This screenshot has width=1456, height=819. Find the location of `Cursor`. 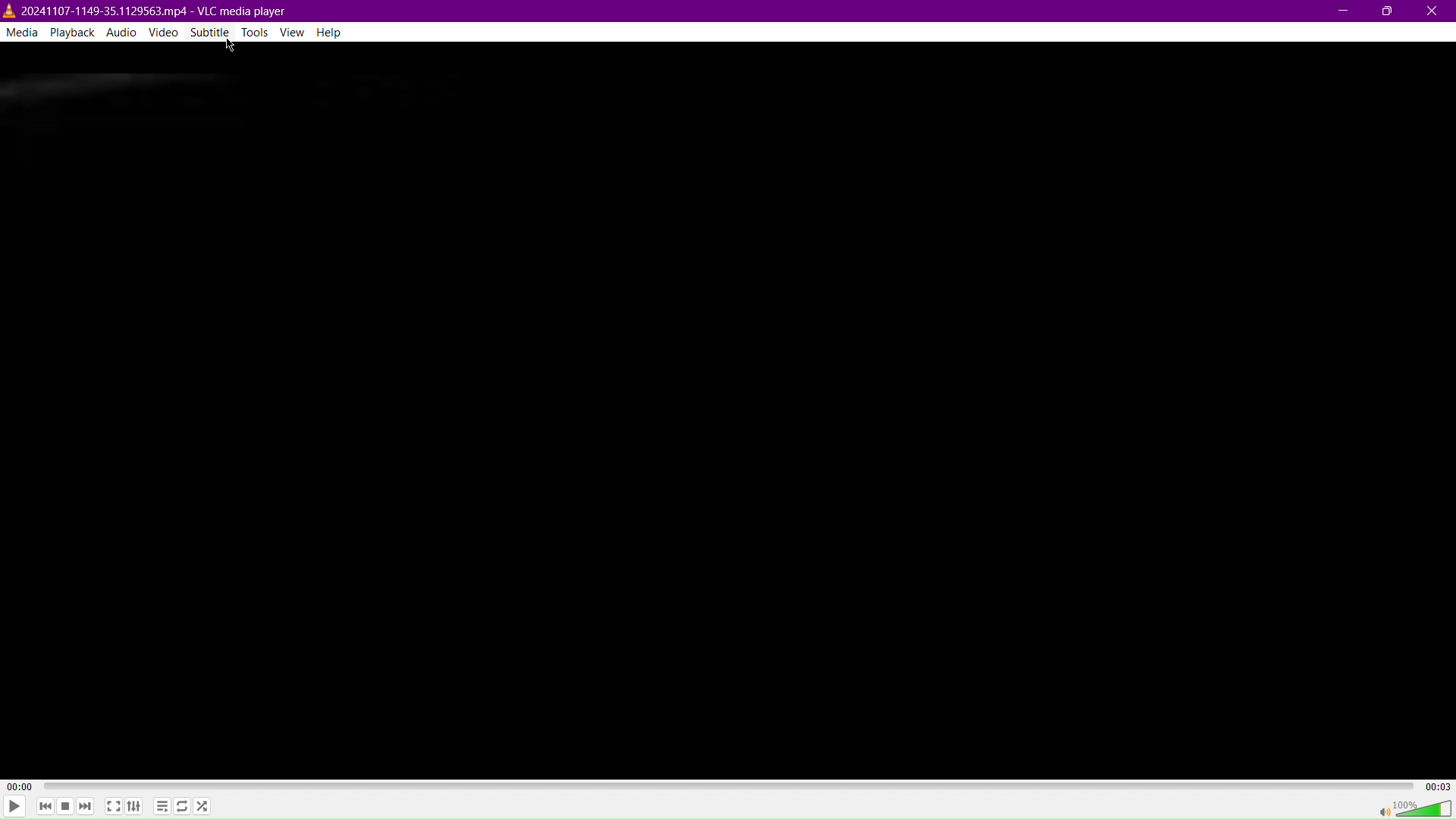

Cursor is located at coordinates (229, 45).